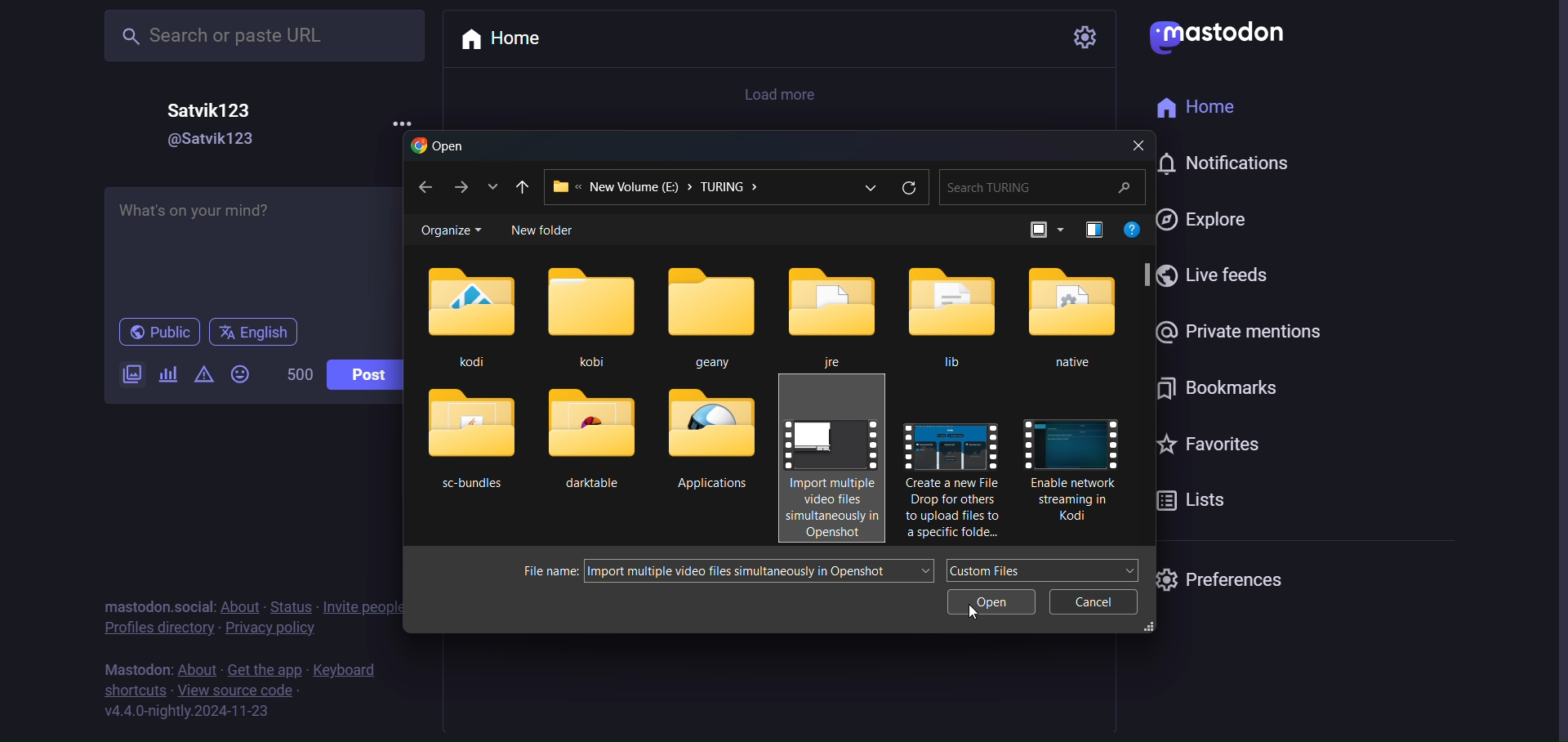 The width and height of the screenshot is (1568, 742). Describe the element at coordinates (135, 670) in the screenshot. I see `mastodon` at that location.